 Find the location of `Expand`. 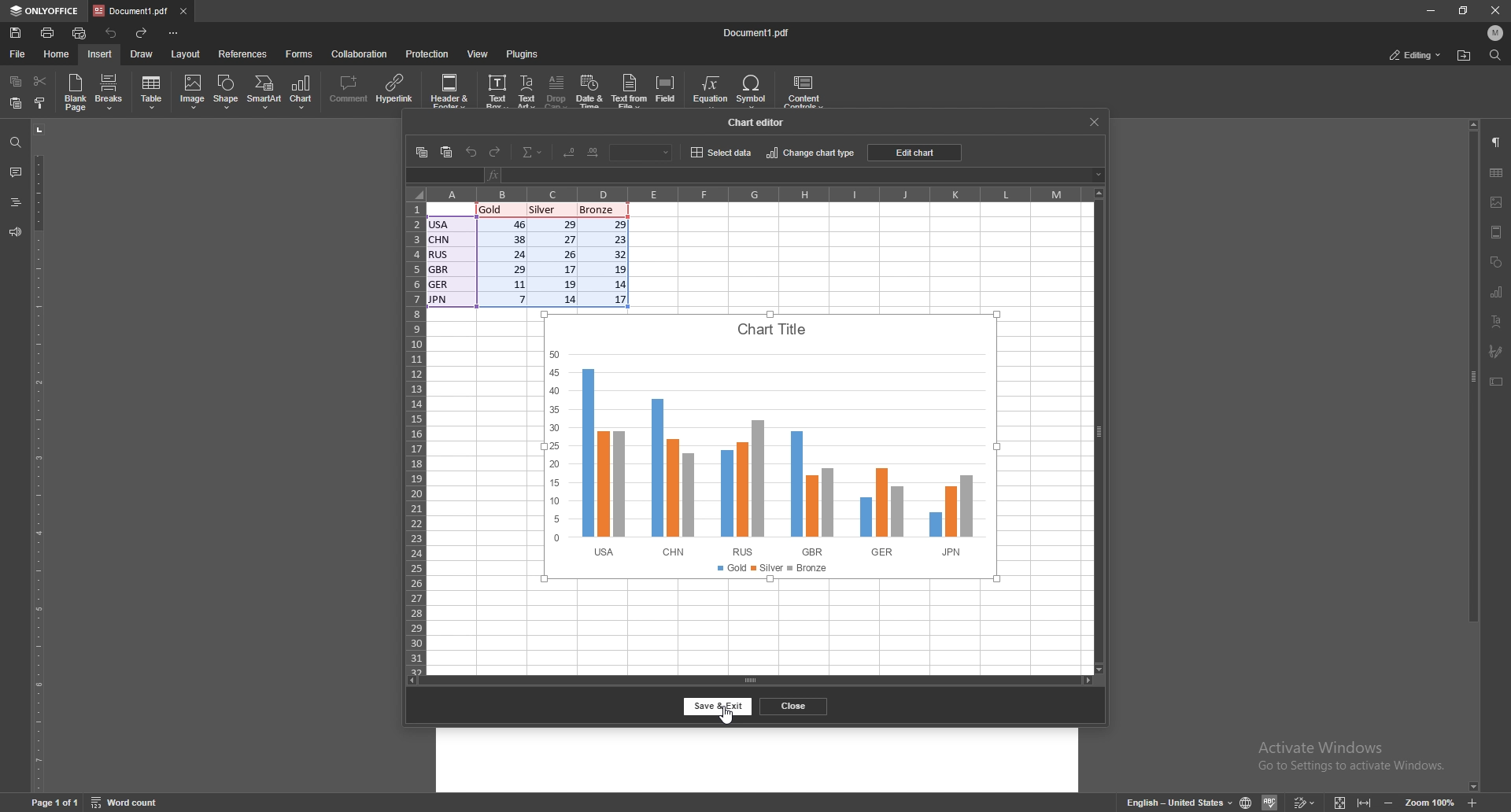

Expand is located at coordinates (1364, 803).